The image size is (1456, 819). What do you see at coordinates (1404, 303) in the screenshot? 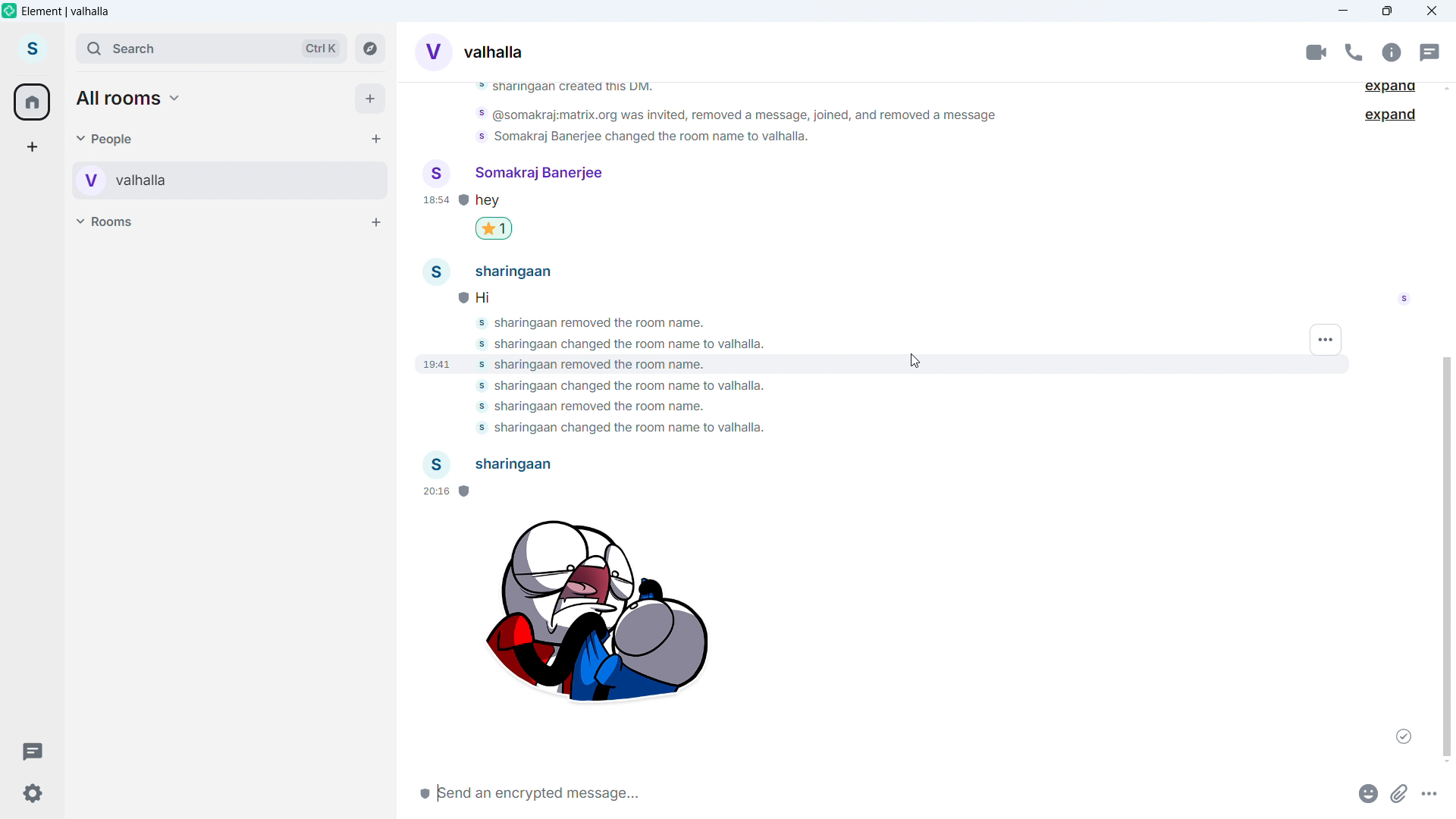
I see `read by somakraj` at bounding box center [1404, 303].